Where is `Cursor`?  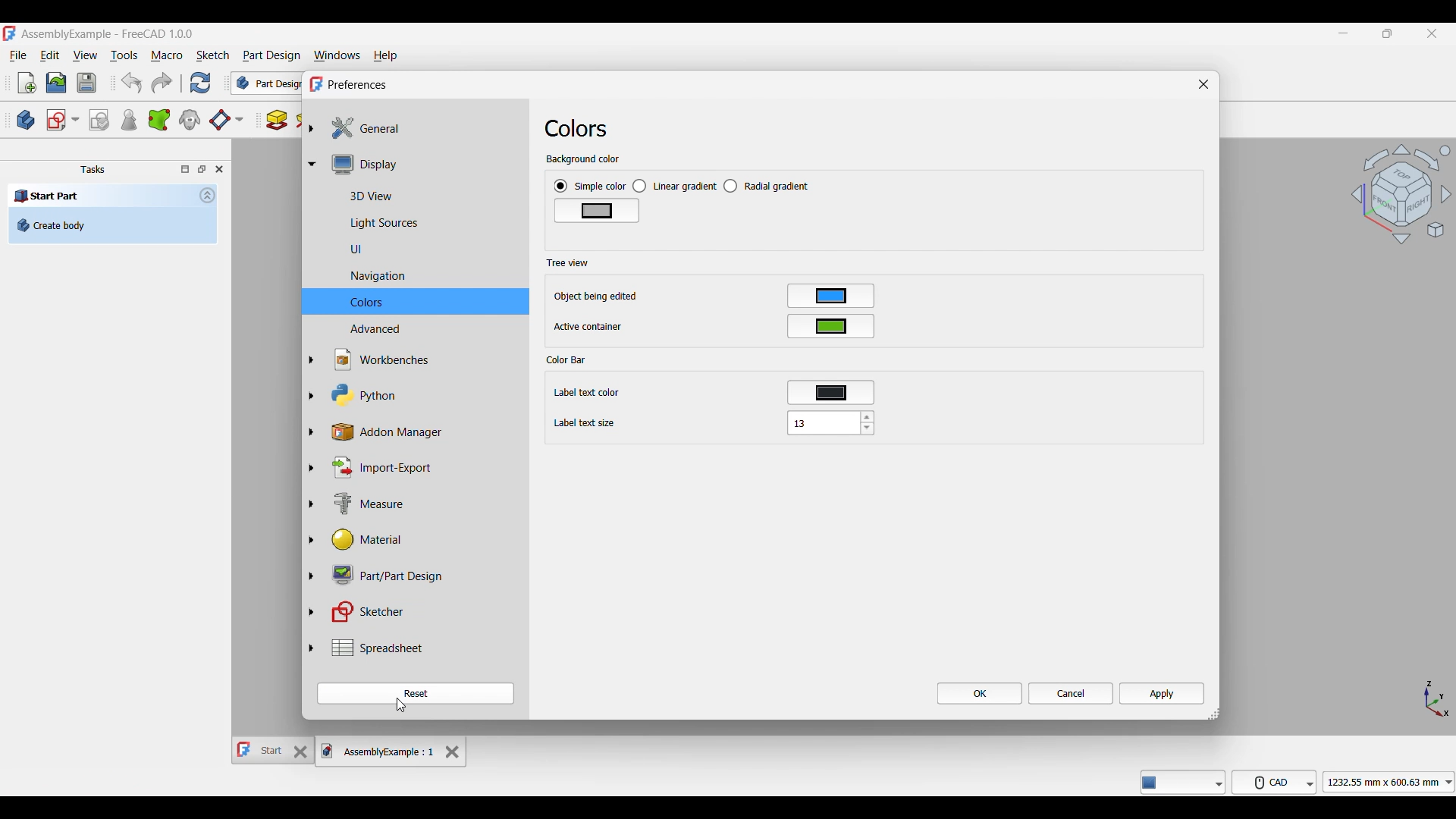
Cursor is located at coordinates (401, 705).